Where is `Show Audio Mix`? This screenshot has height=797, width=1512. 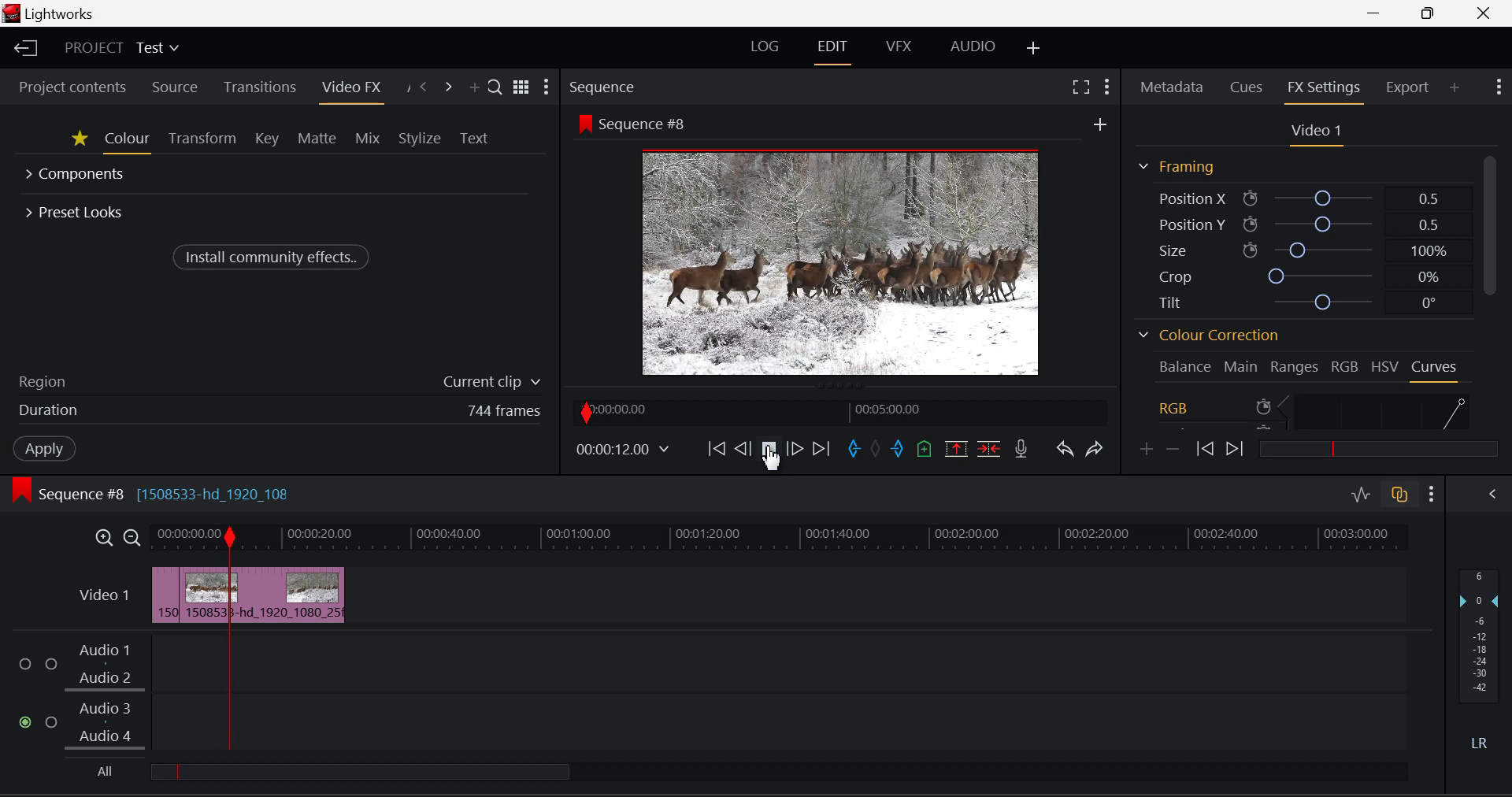 Show Audio Mix is located at coordinates (1492, 496).